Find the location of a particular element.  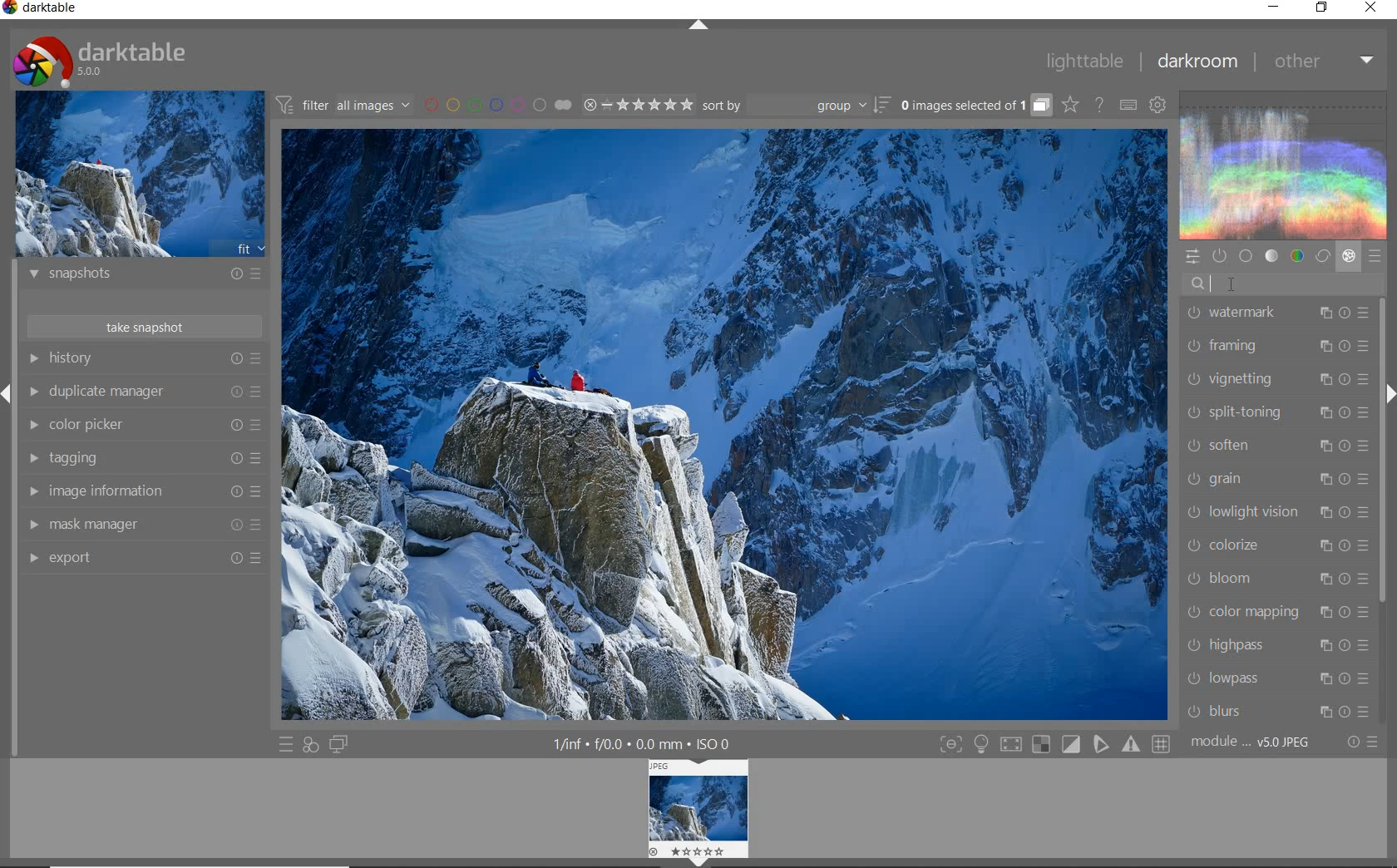

quick access panel is located at coordinates (1191, 257).